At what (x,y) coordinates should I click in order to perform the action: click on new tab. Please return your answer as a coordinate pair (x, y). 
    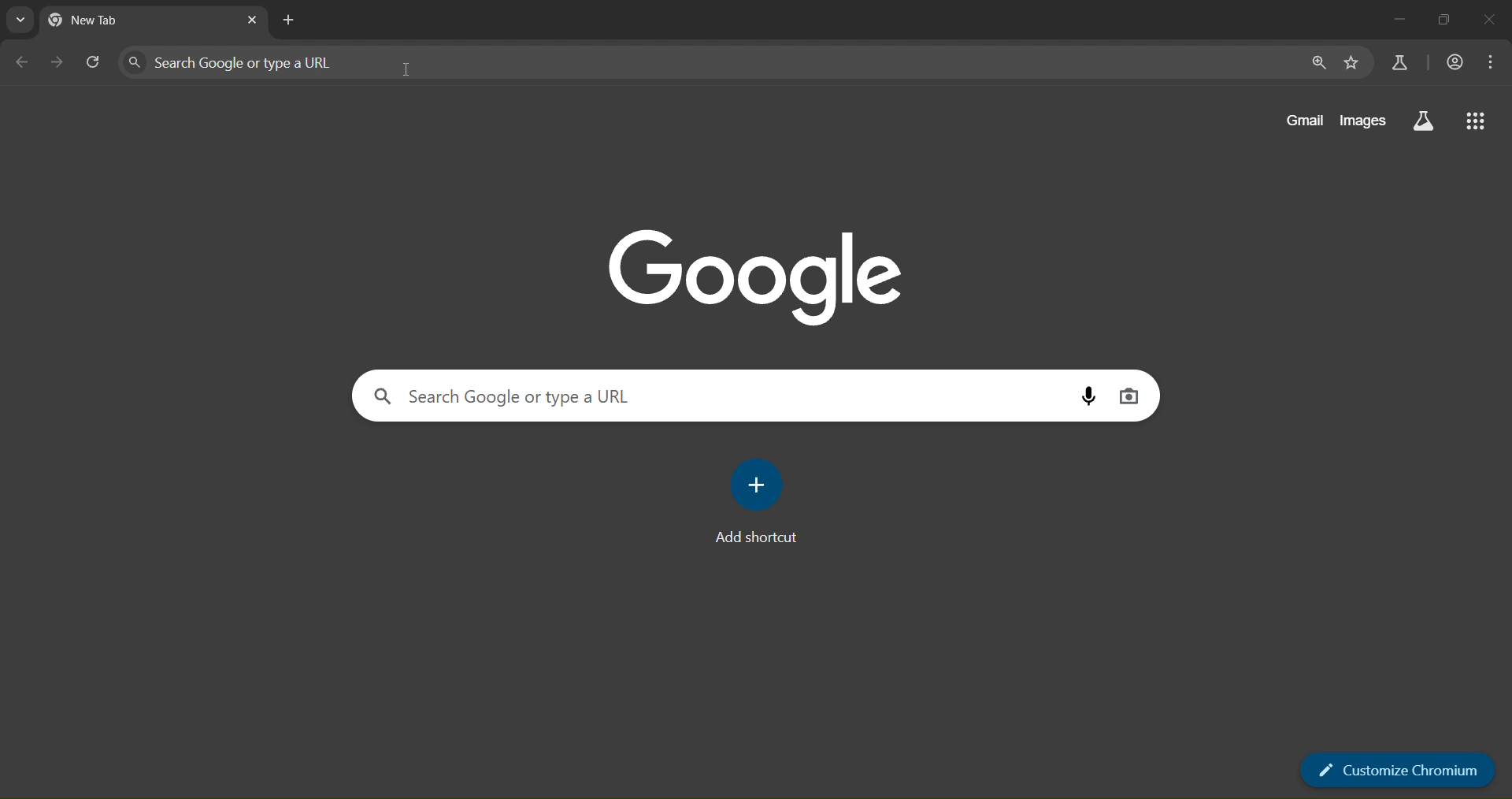
    Looking at the image, I should click on (291, 20).